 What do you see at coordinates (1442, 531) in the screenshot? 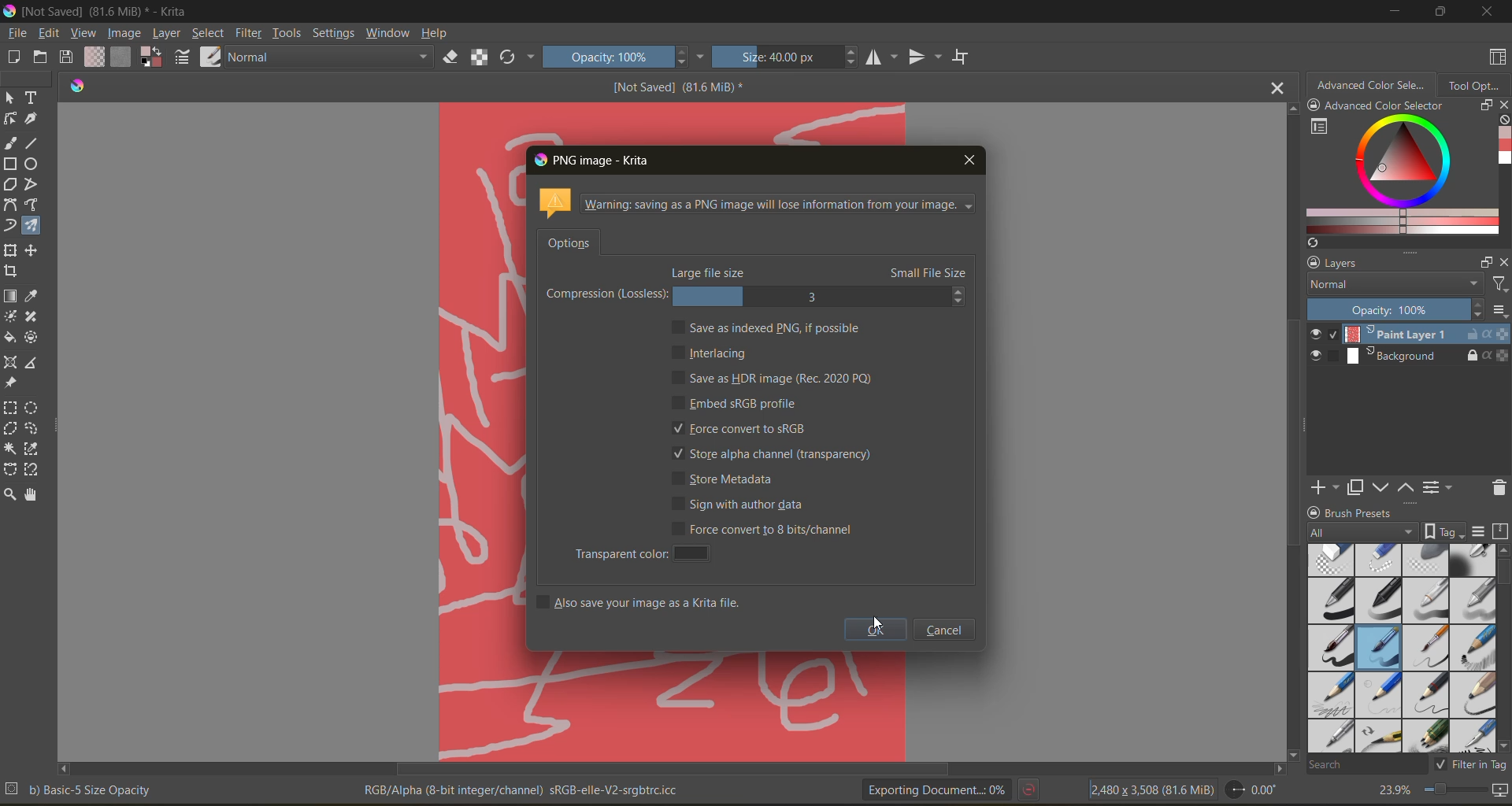
I see `show tag` at bounding box center [1442, 531].